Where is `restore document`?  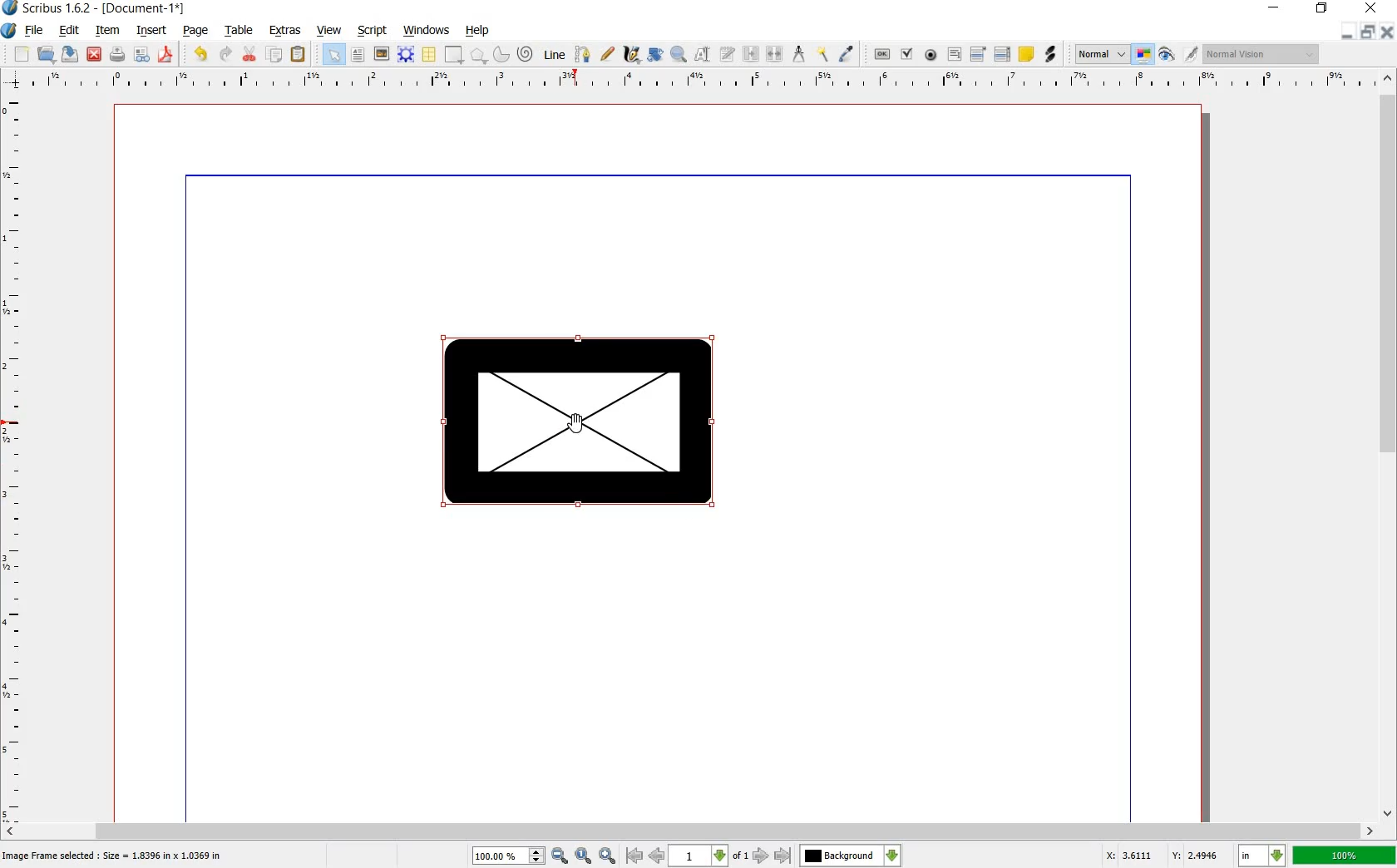 restore document is located at coordinates (1369, 31).